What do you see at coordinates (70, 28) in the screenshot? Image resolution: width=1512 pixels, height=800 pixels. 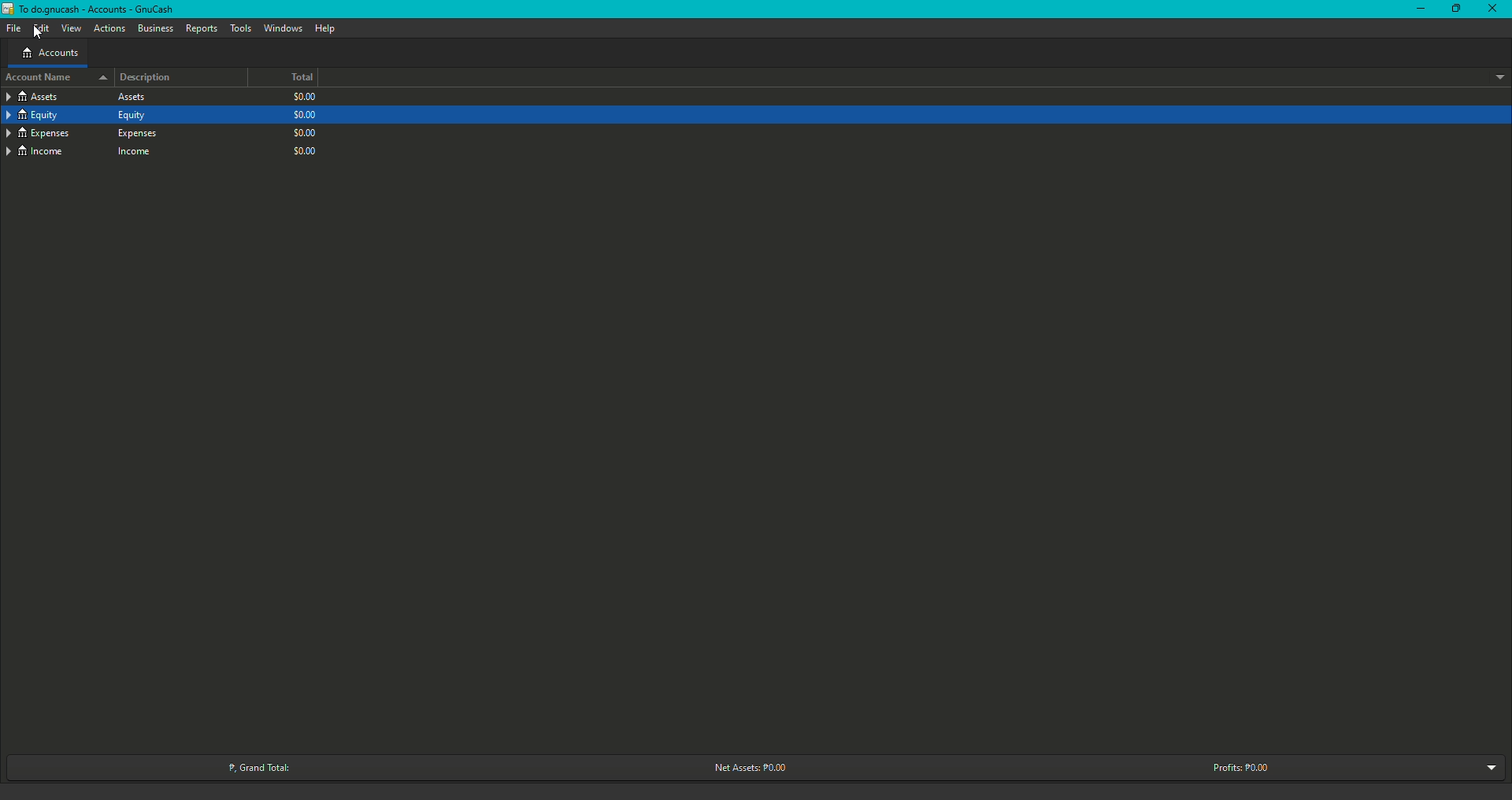 I see `View` at bounding box center [70, 28].